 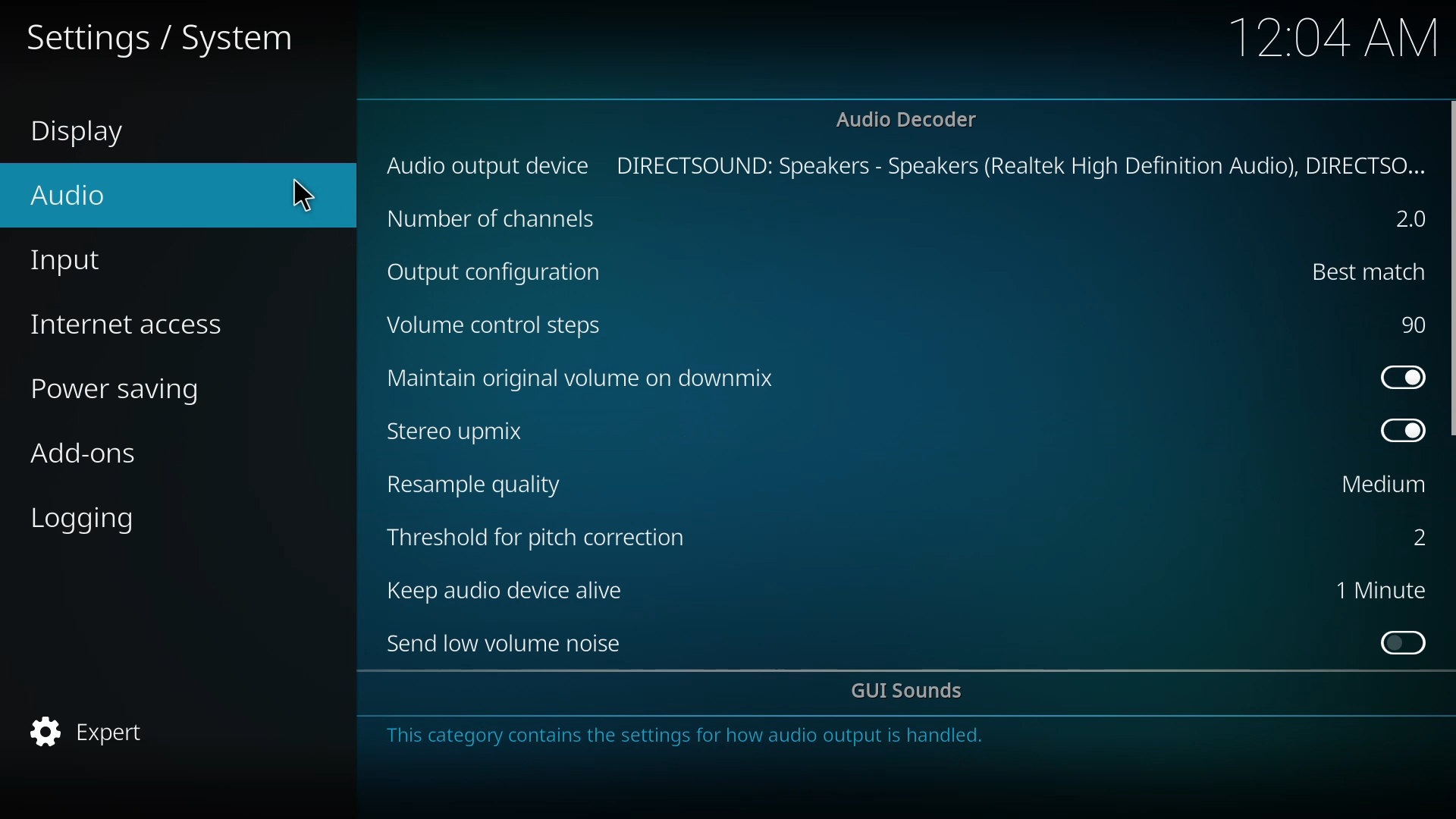 What do you see at coordinates (1404, 431) in the screenshot?
I see `enabled` at bounding box center [1404, 431].